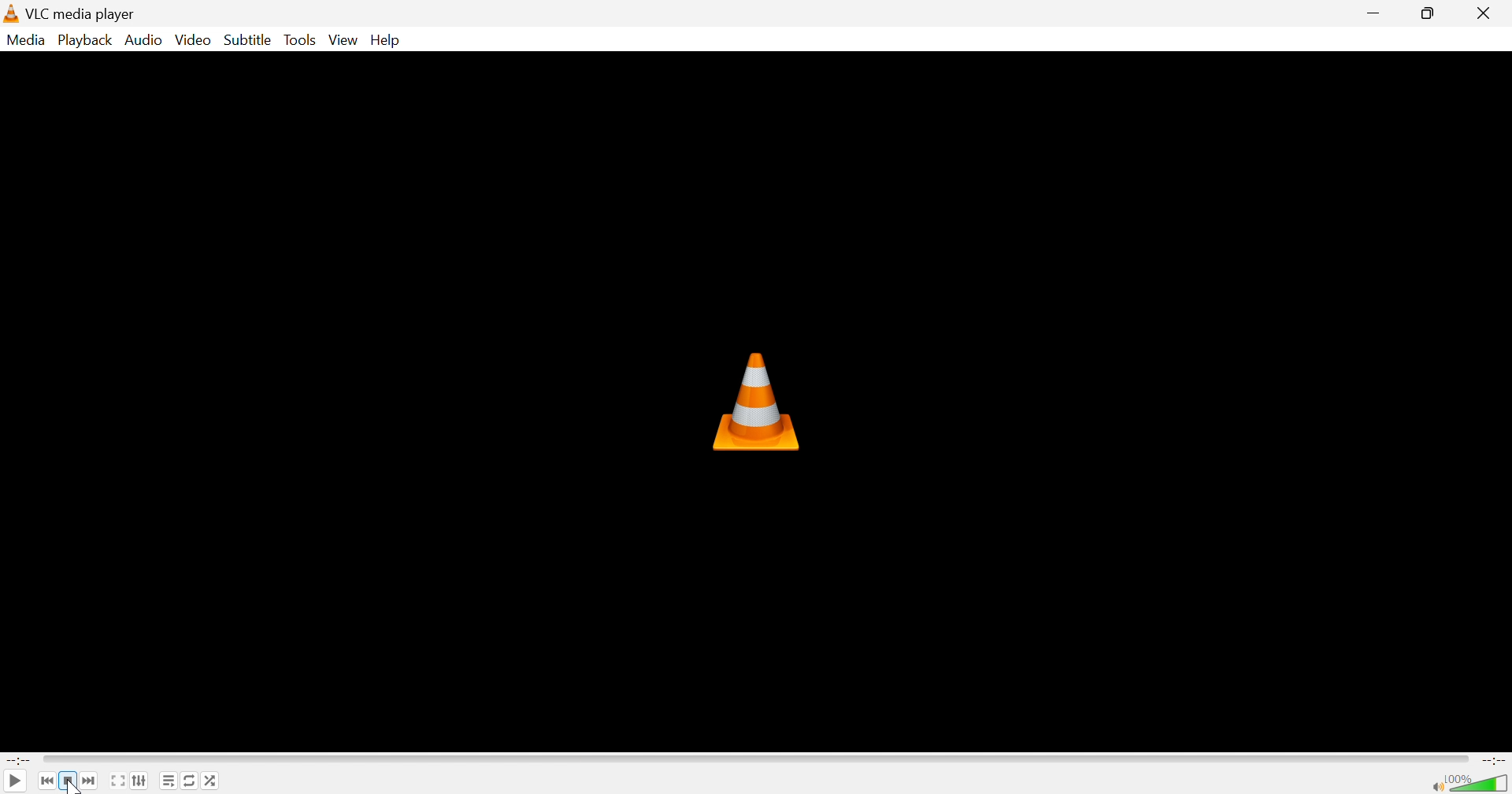  Describe the element at coordinates (141, 781) in the screenshot. I see `Show extended settings` at that location.